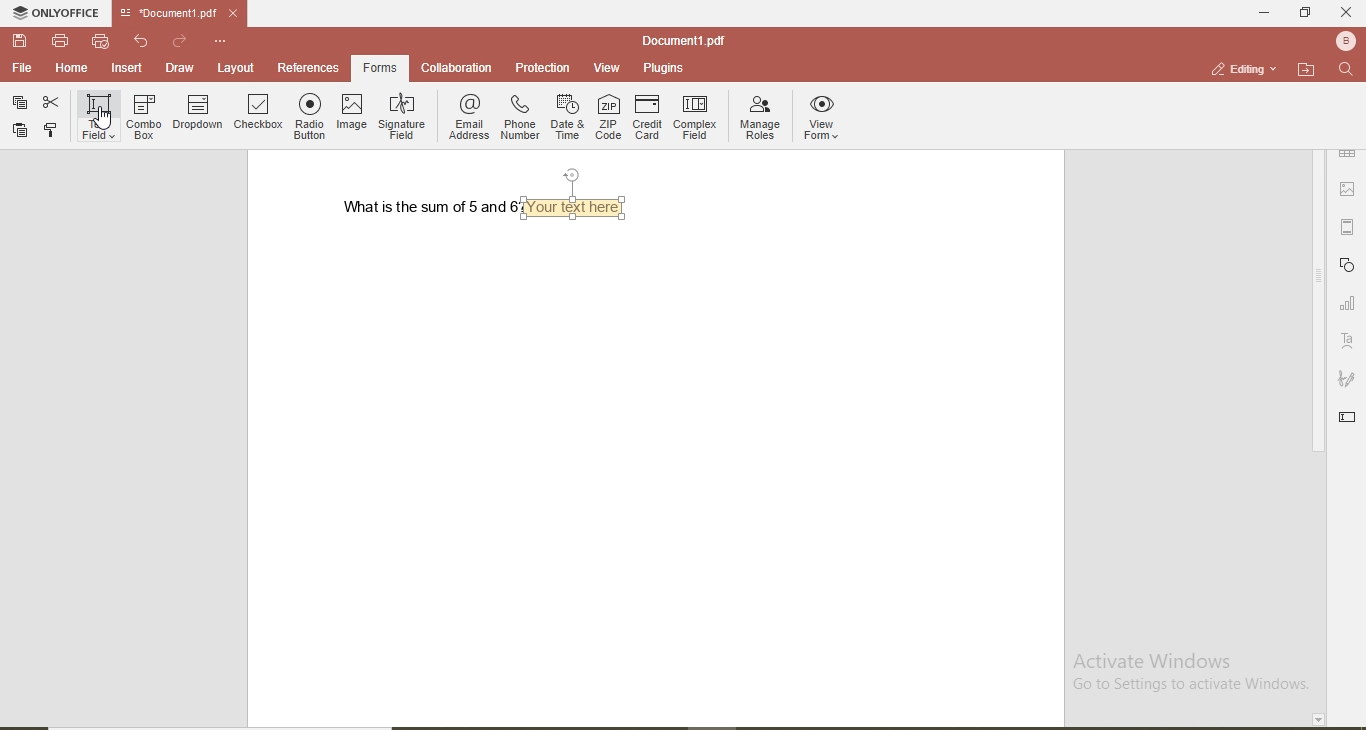 The image size is (1366, 730). I want to click on cut, so click(51, 102).